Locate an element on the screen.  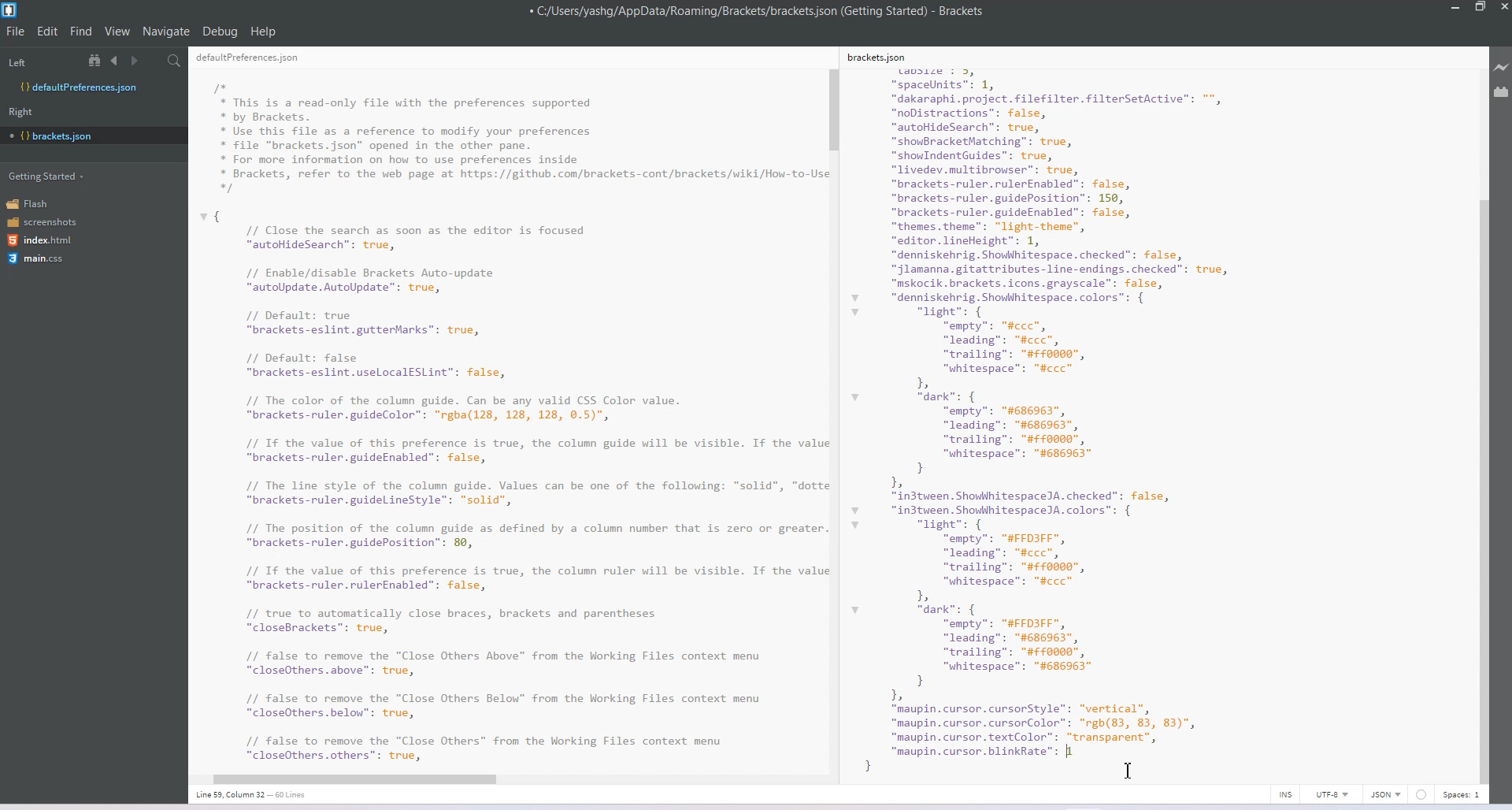
Getting Started is located at coordinates (48, 175).